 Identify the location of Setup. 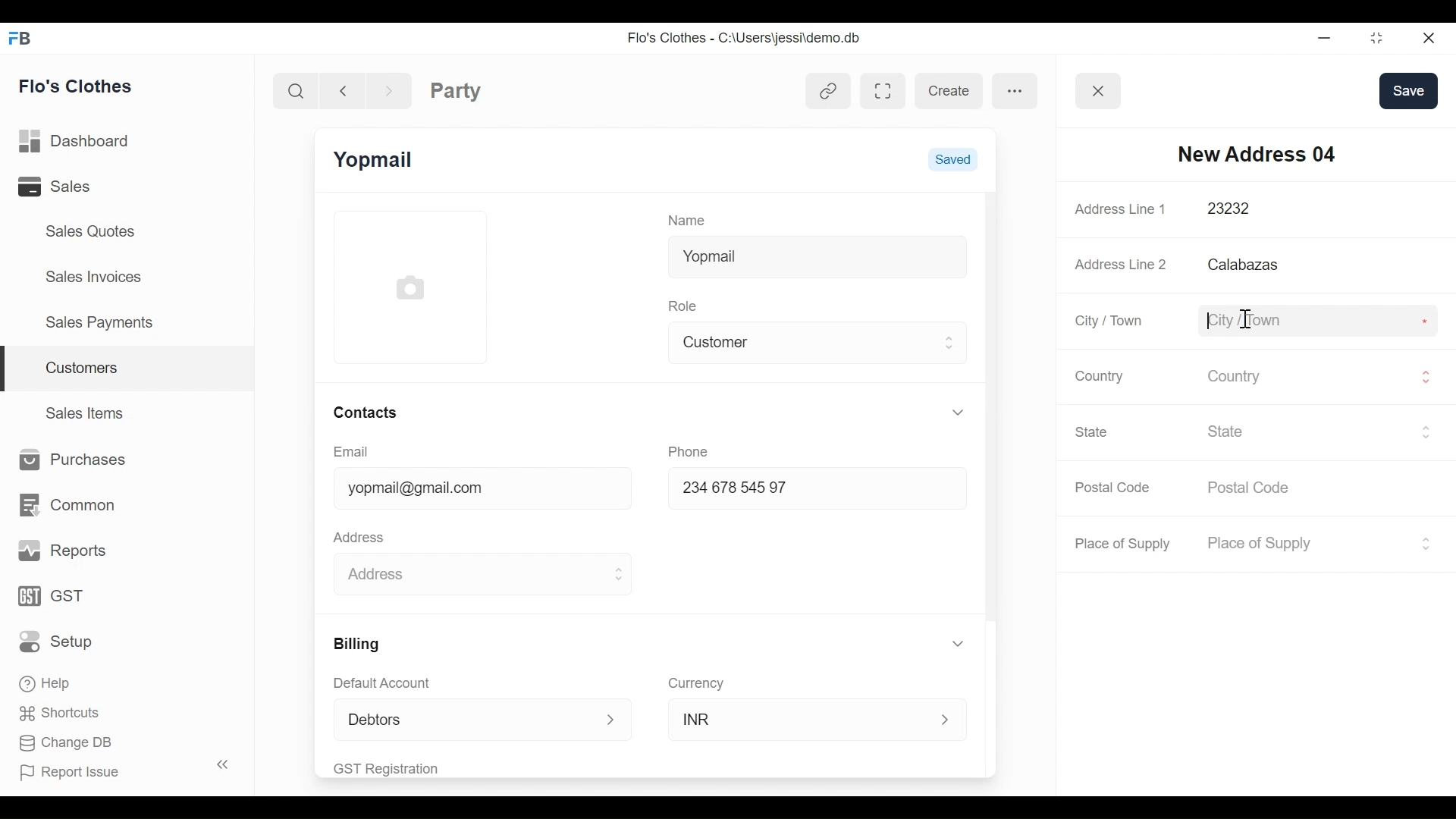
(60, 641).